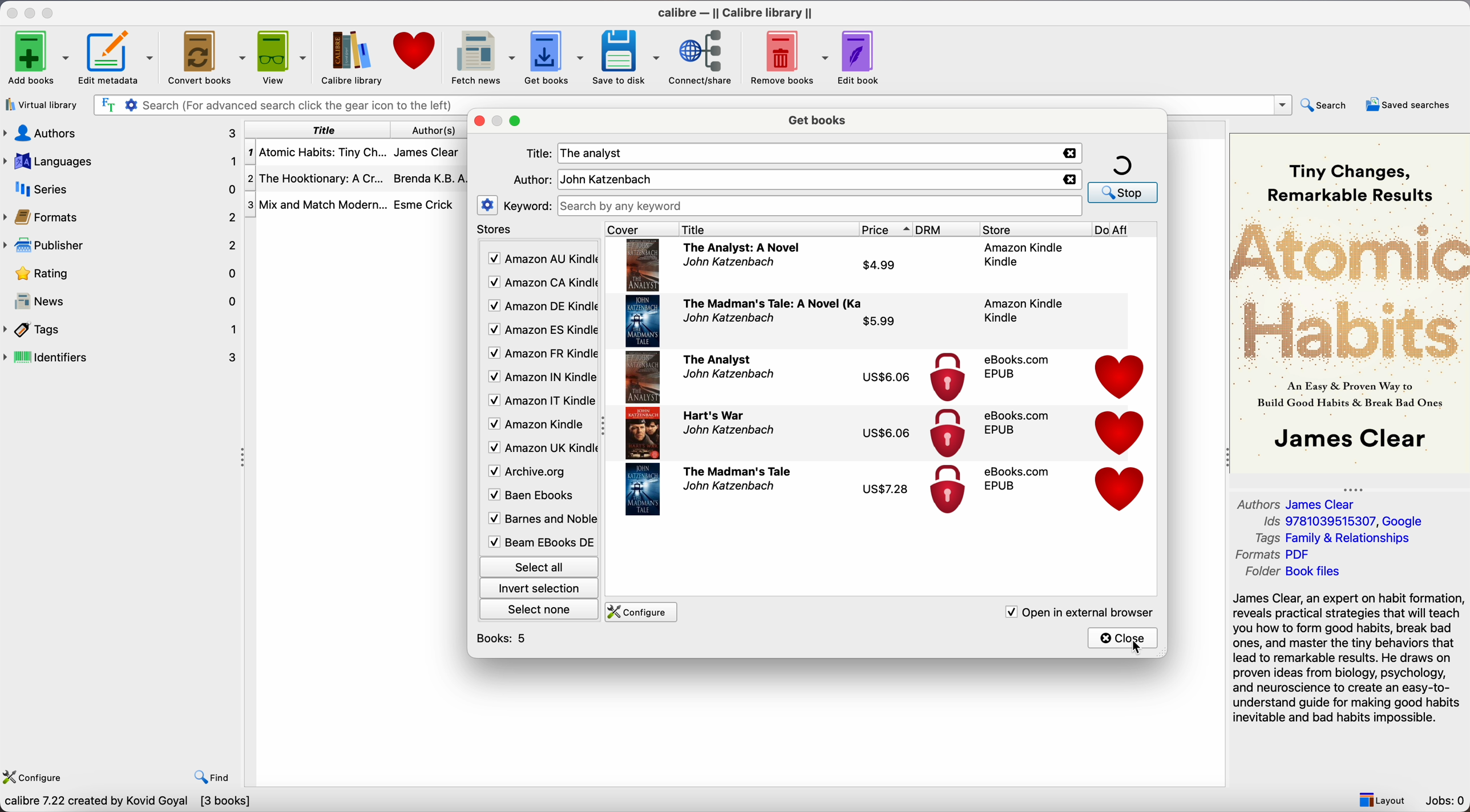  I want to click on close app, so click(11, 12).